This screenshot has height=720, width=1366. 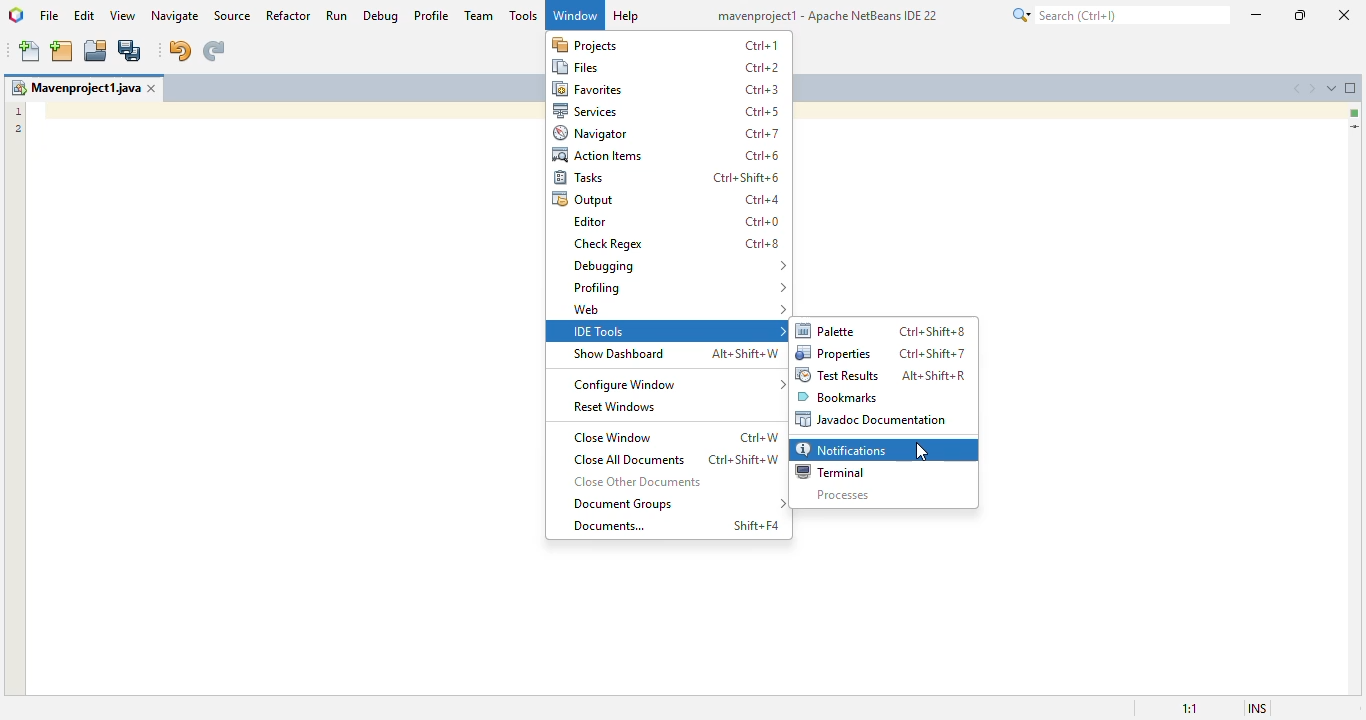 I want to click on show opened documents list, so click(x=1334, y=87).